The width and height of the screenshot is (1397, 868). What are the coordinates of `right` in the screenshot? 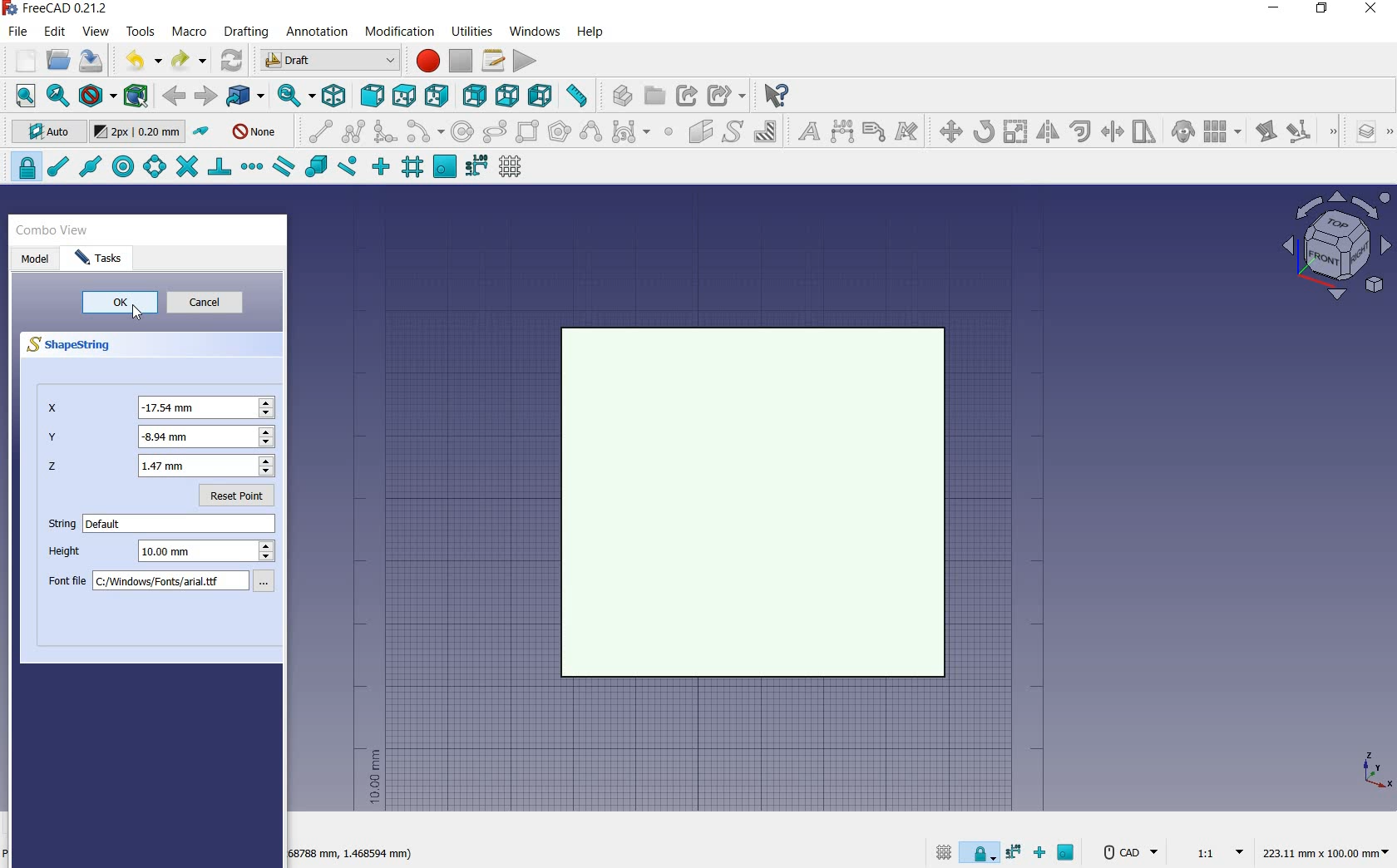 It's located at (440, 96).